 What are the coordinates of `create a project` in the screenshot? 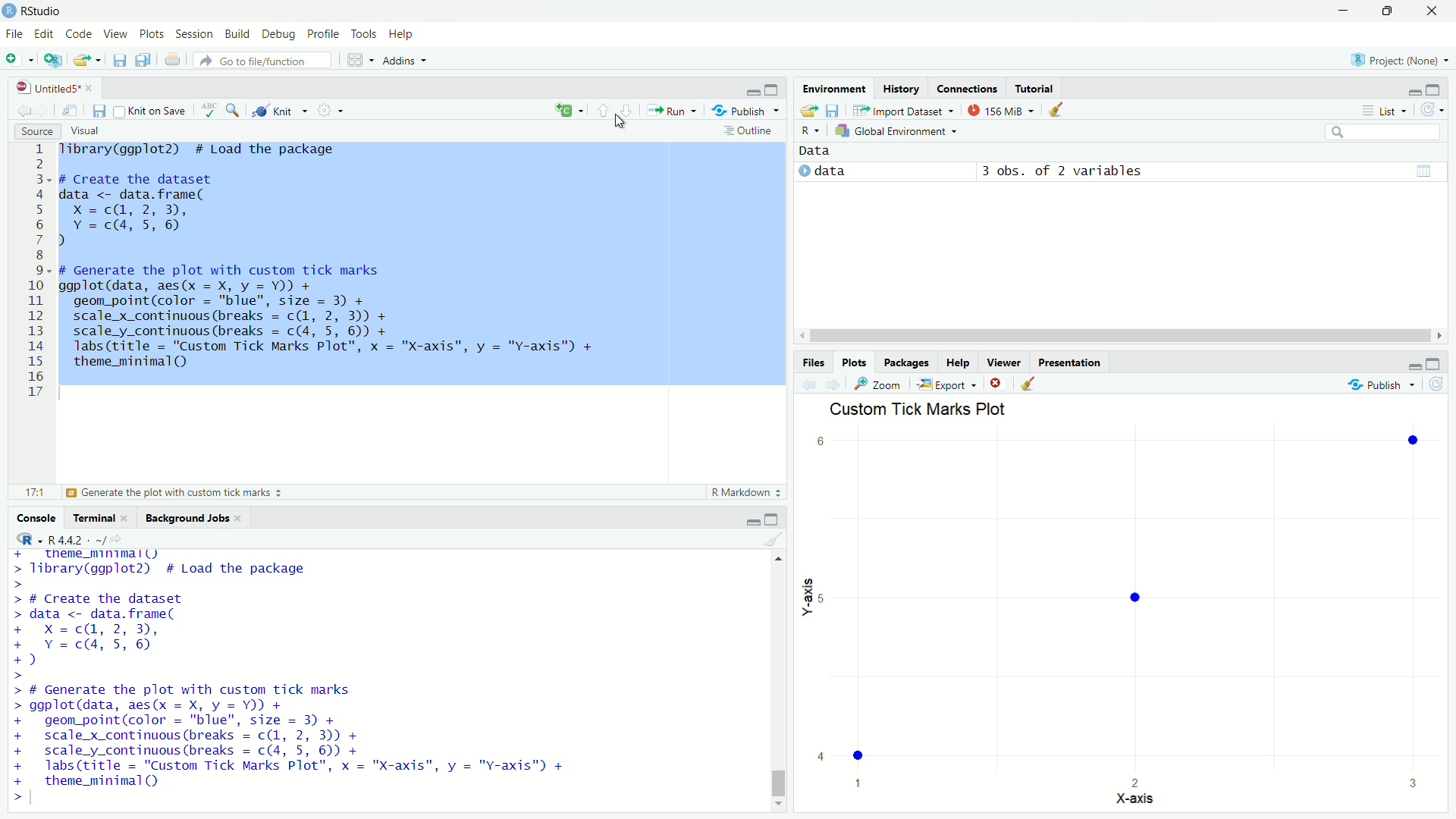 It's located at (53, 60).